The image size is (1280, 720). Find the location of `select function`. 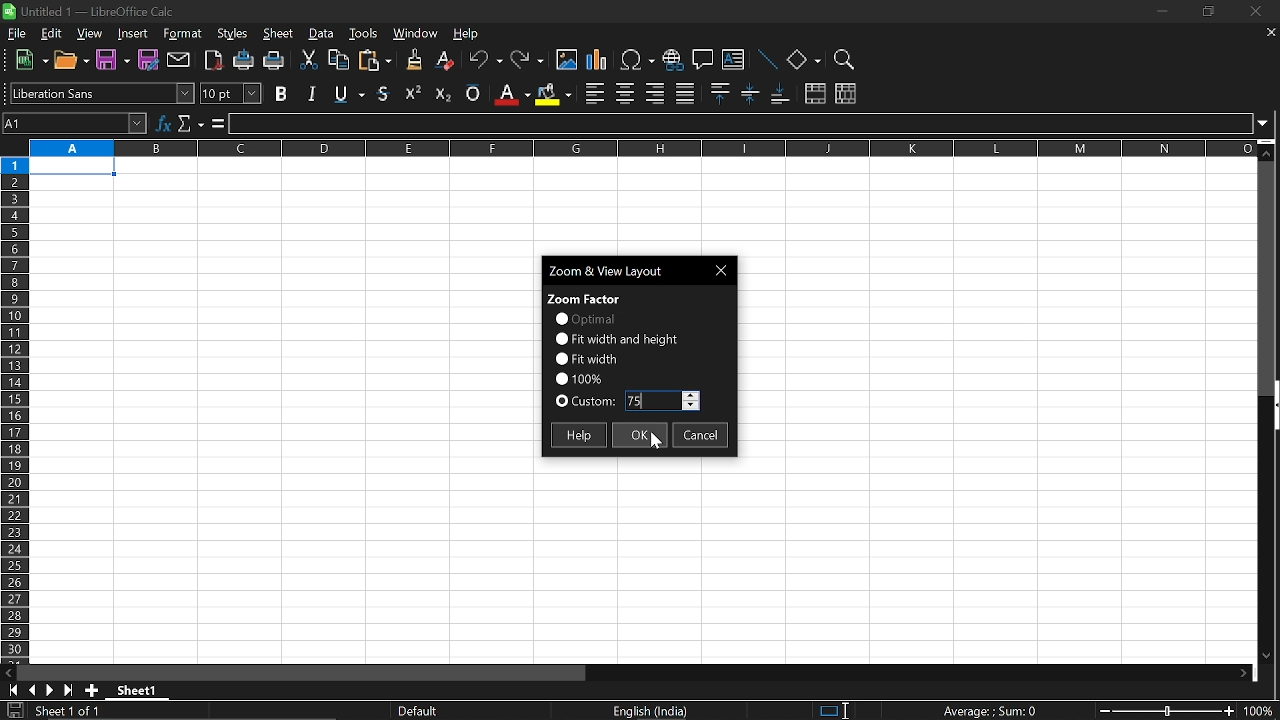

select function is located at coordinates (190, 121).